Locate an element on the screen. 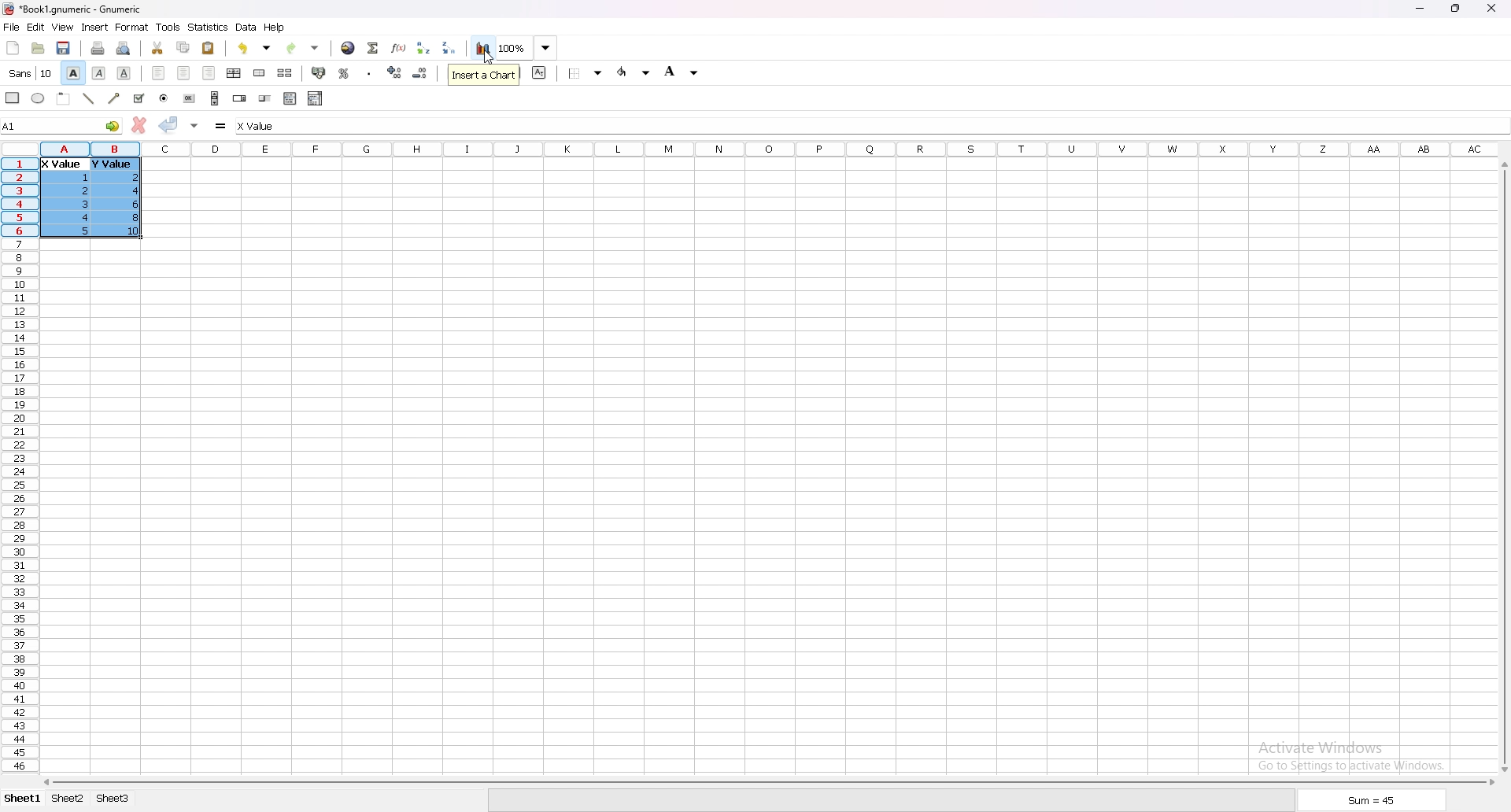 This screenshot has height=812, width=1511. accounting is located at coordinates (320, 72).